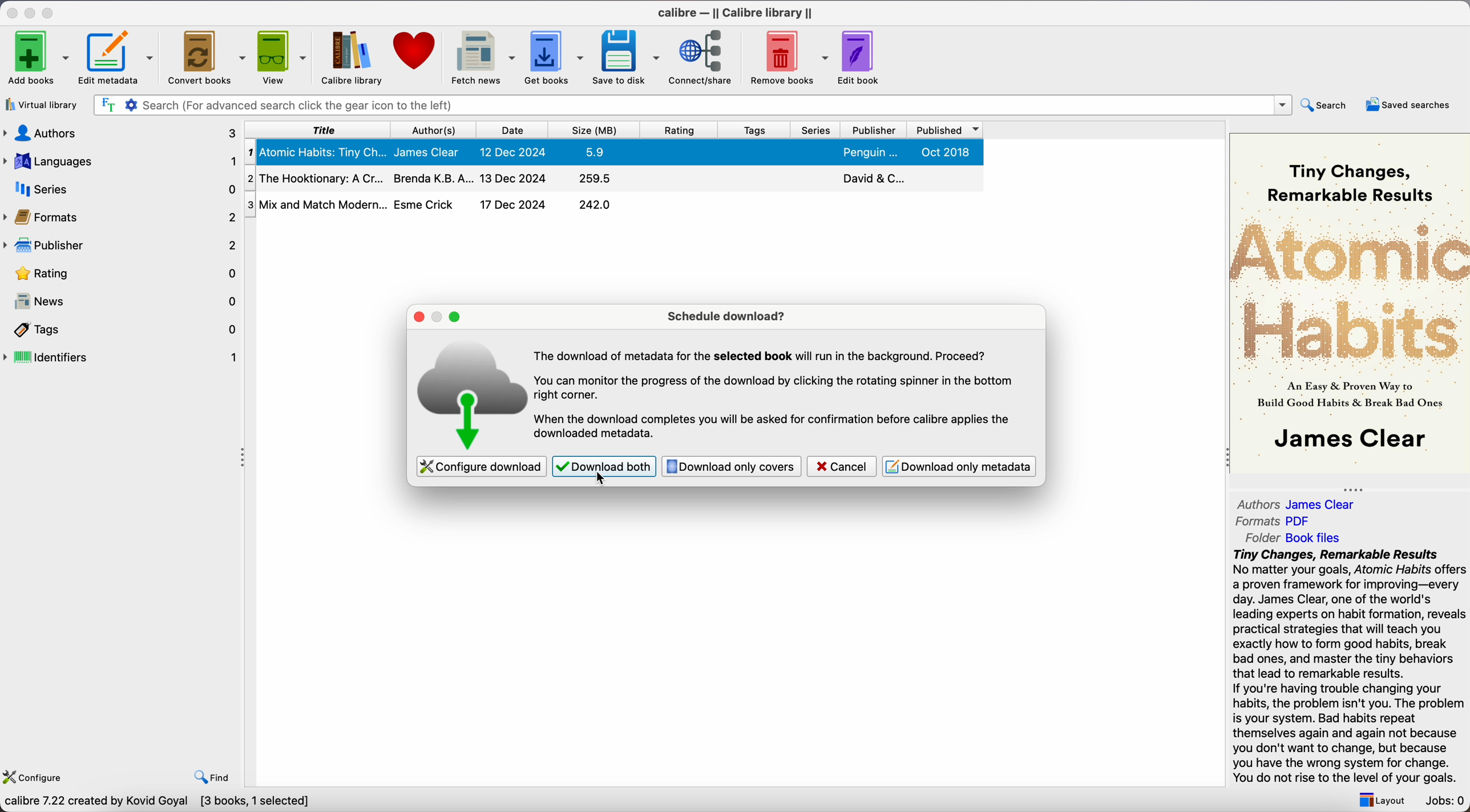  I want to click on tags, so click(127, 330).